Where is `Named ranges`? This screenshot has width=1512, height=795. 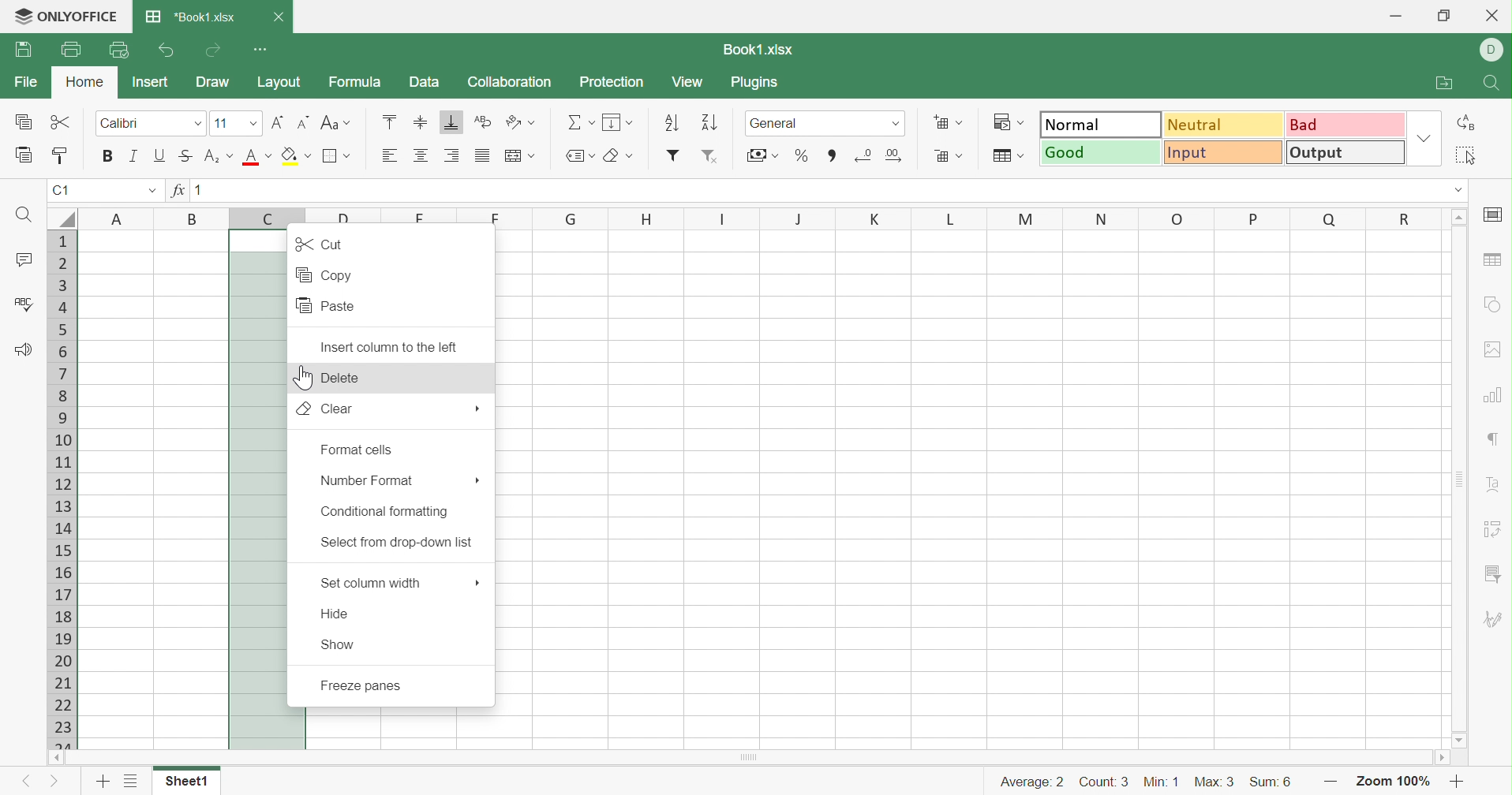
Named ranges is located at coordinates (572, 155).